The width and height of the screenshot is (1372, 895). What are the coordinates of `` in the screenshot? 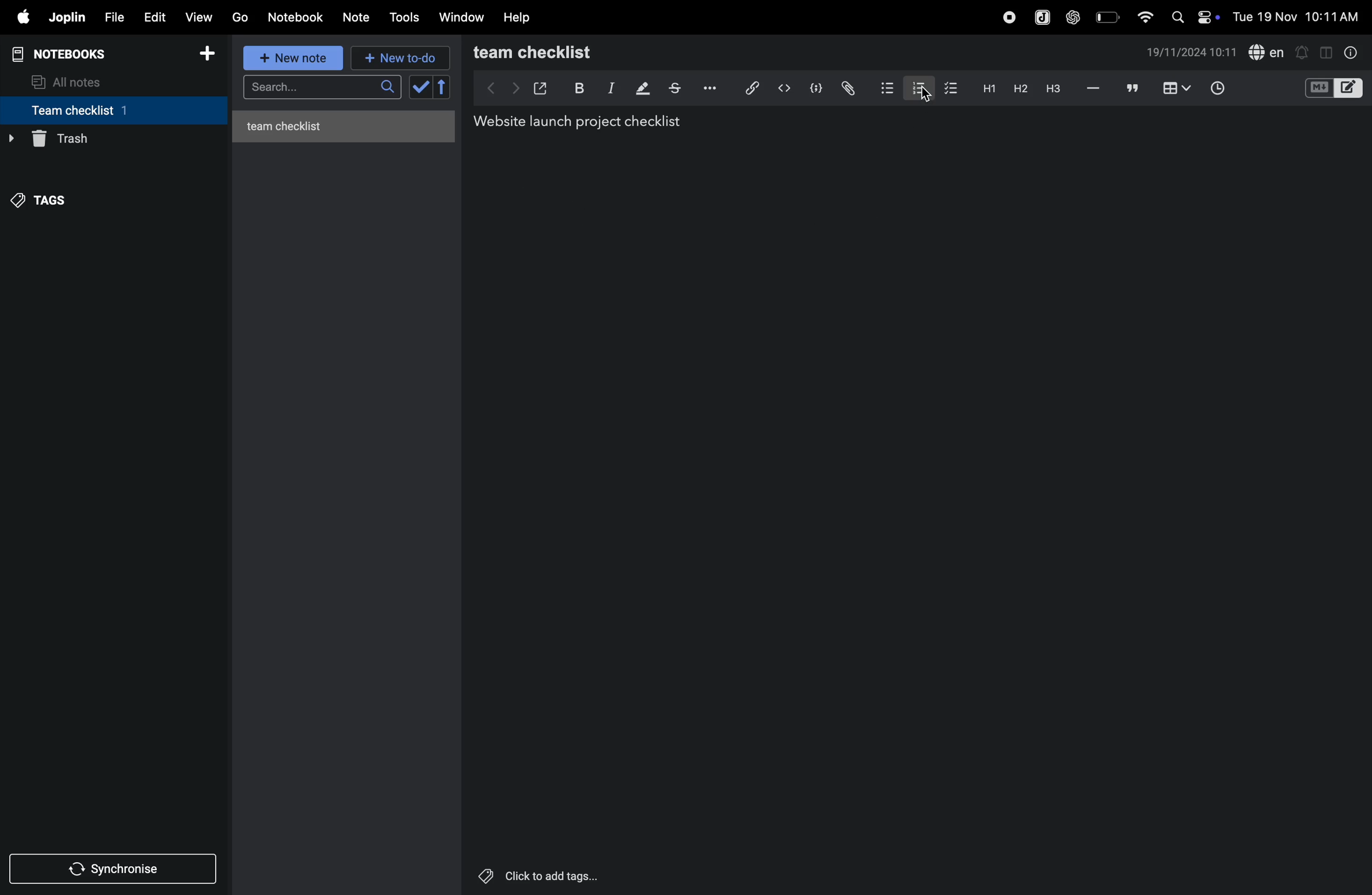 It's located at (553, 876).